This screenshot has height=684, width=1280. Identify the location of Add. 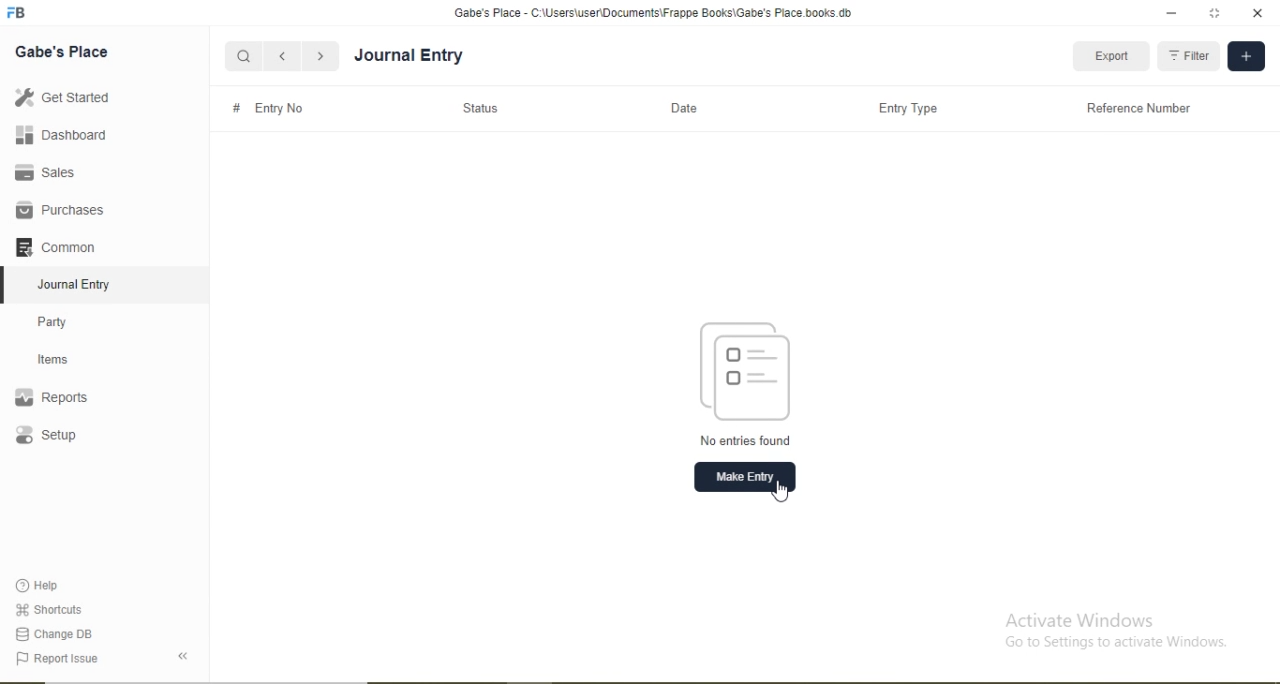
(1246, 57).